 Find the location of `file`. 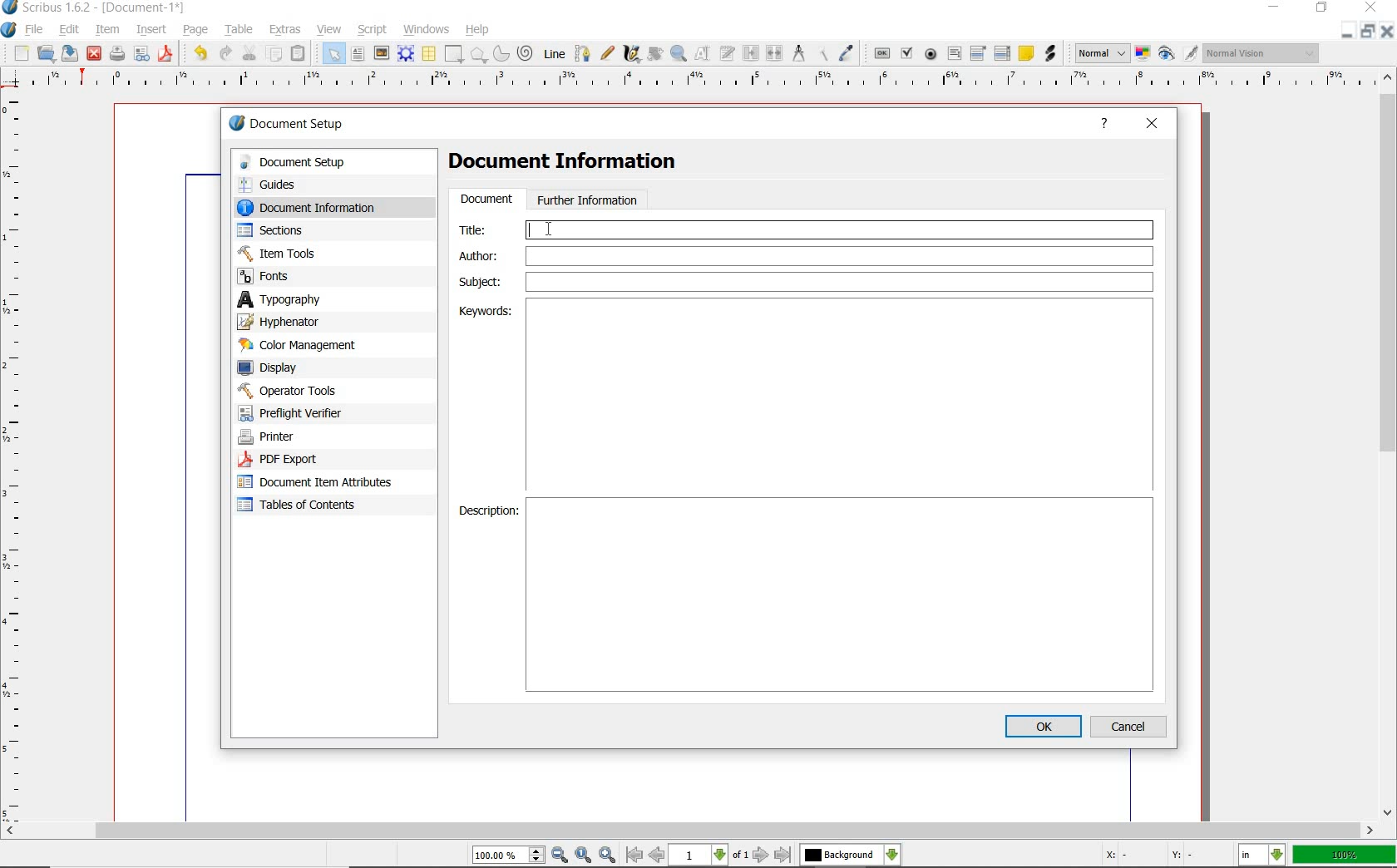

file is located at coordinates (35, 28).